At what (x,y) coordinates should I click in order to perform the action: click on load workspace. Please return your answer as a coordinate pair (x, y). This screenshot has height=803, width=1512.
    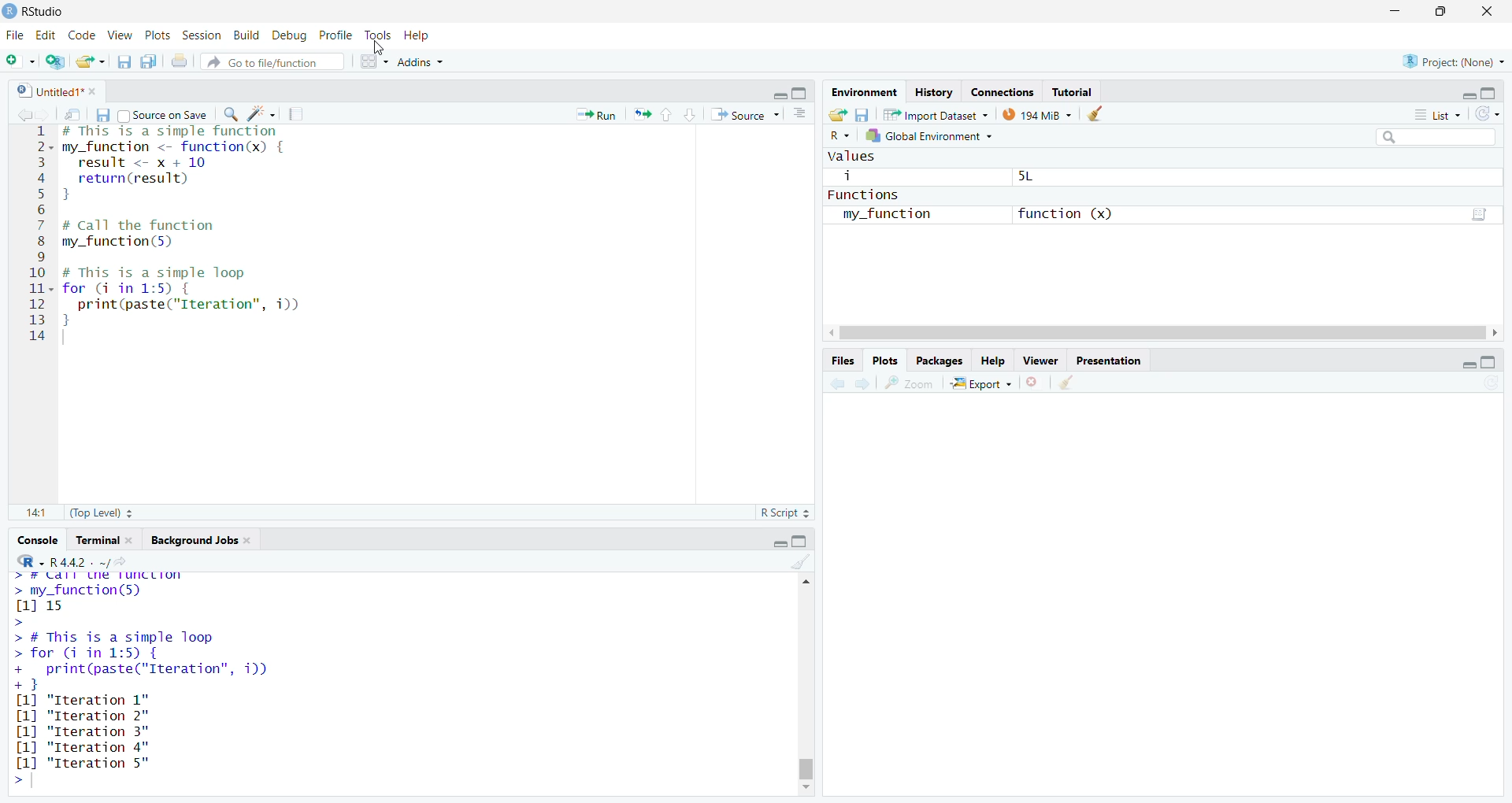
    Looking at the image, I should click on (838, 115).